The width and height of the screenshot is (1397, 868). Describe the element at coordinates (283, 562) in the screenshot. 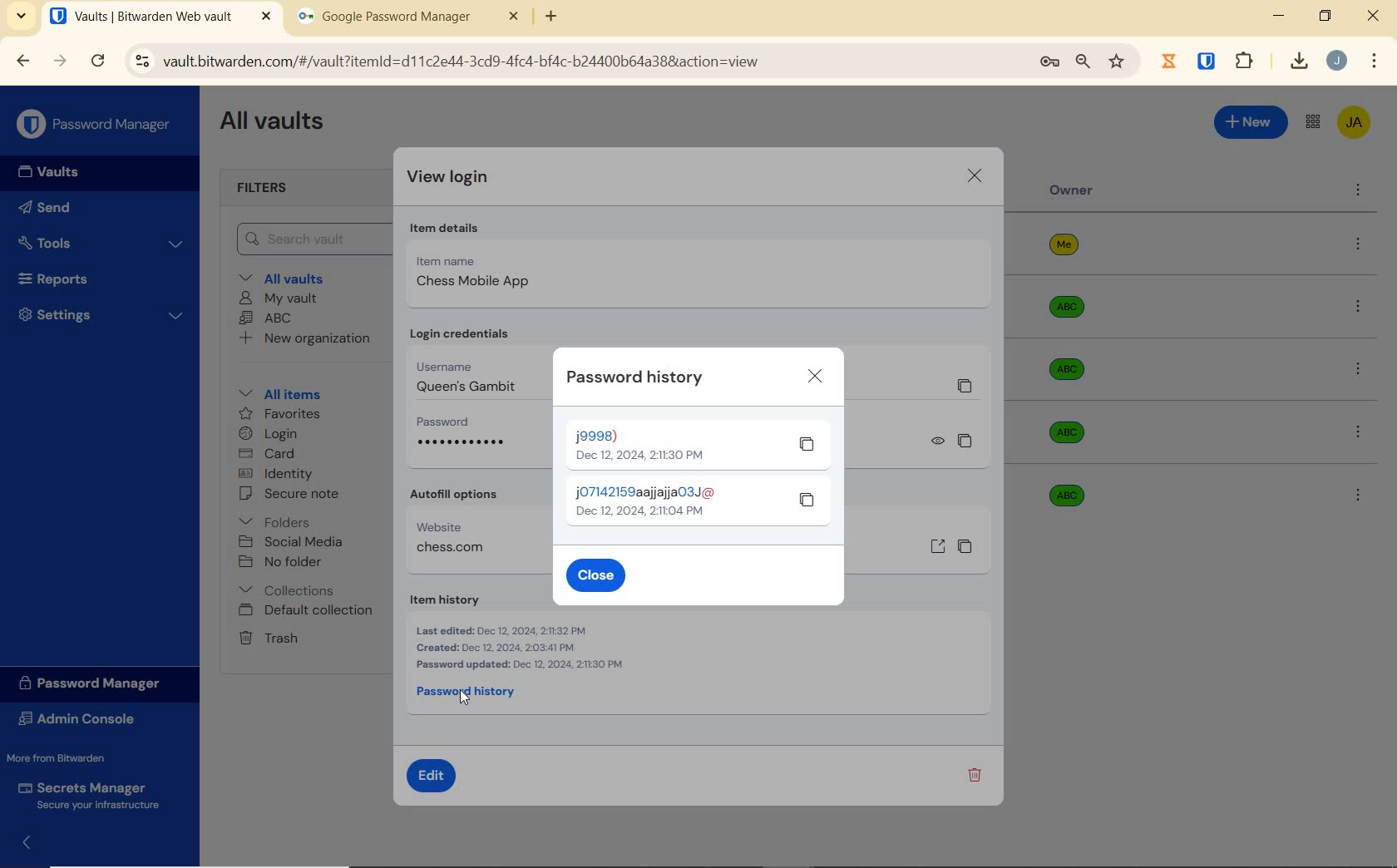

I see `No folder` at that location.